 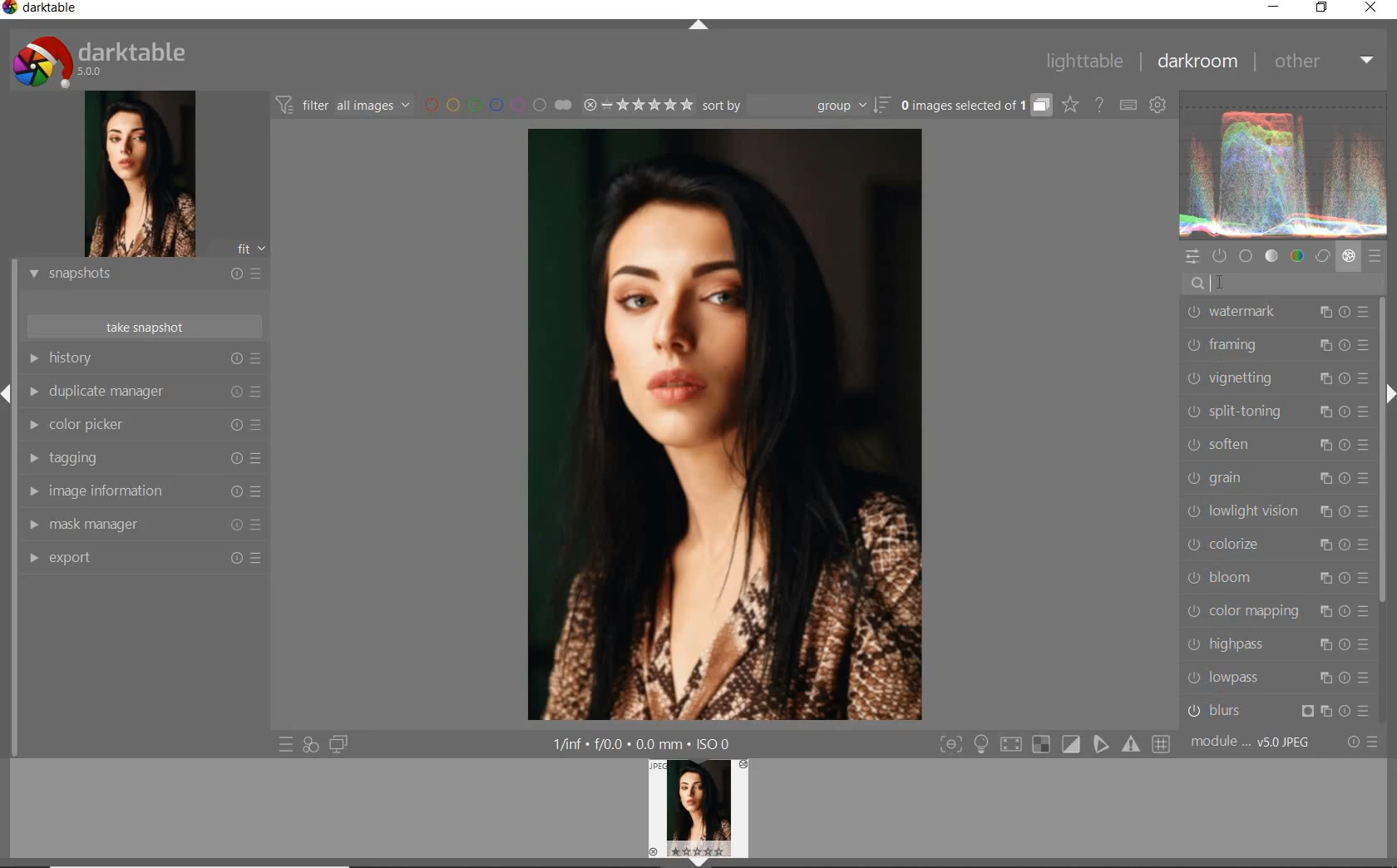 I want to click on color mapping, so click(x=1276, y=611).